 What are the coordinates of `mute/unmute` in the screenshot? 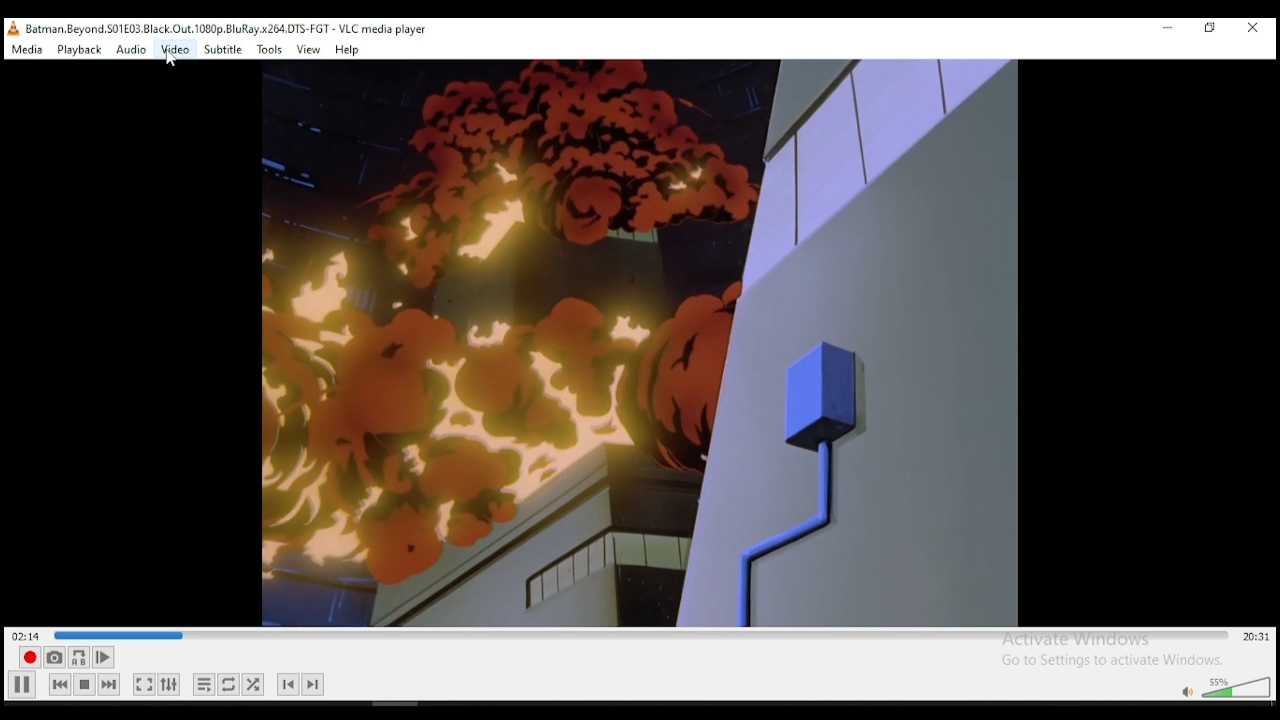 It's located at (1184, 690).